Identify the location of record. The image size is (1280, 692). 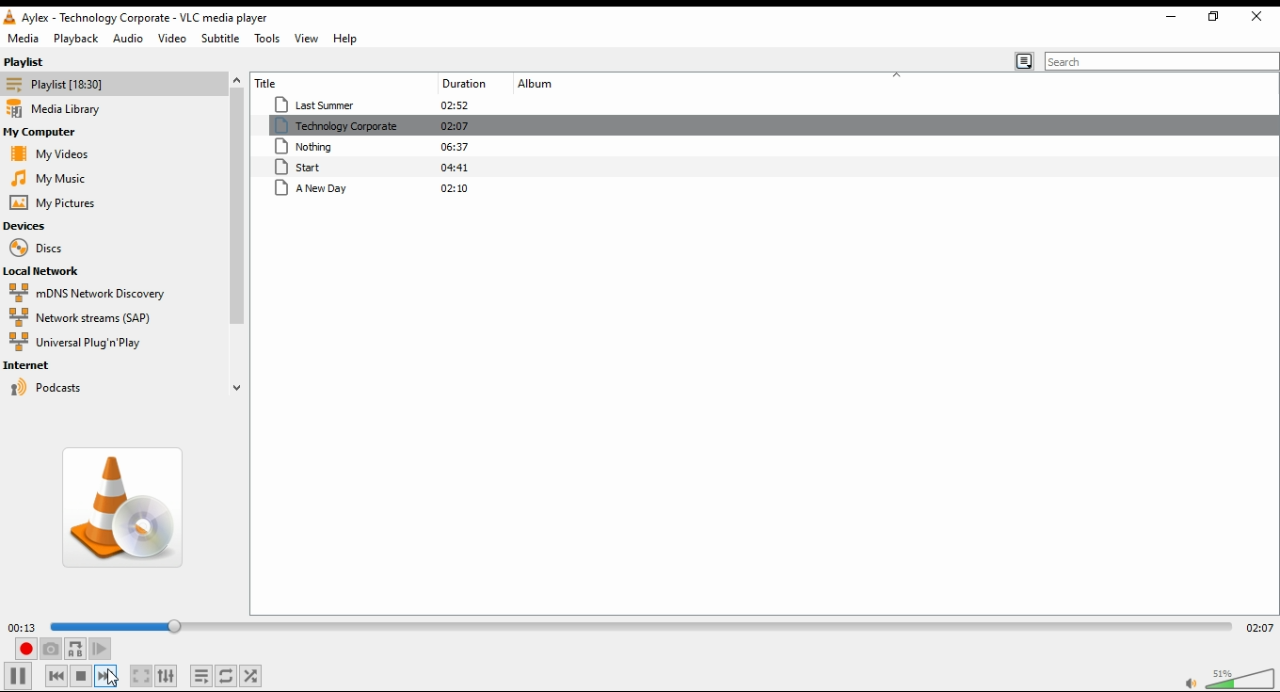
(27, 652).